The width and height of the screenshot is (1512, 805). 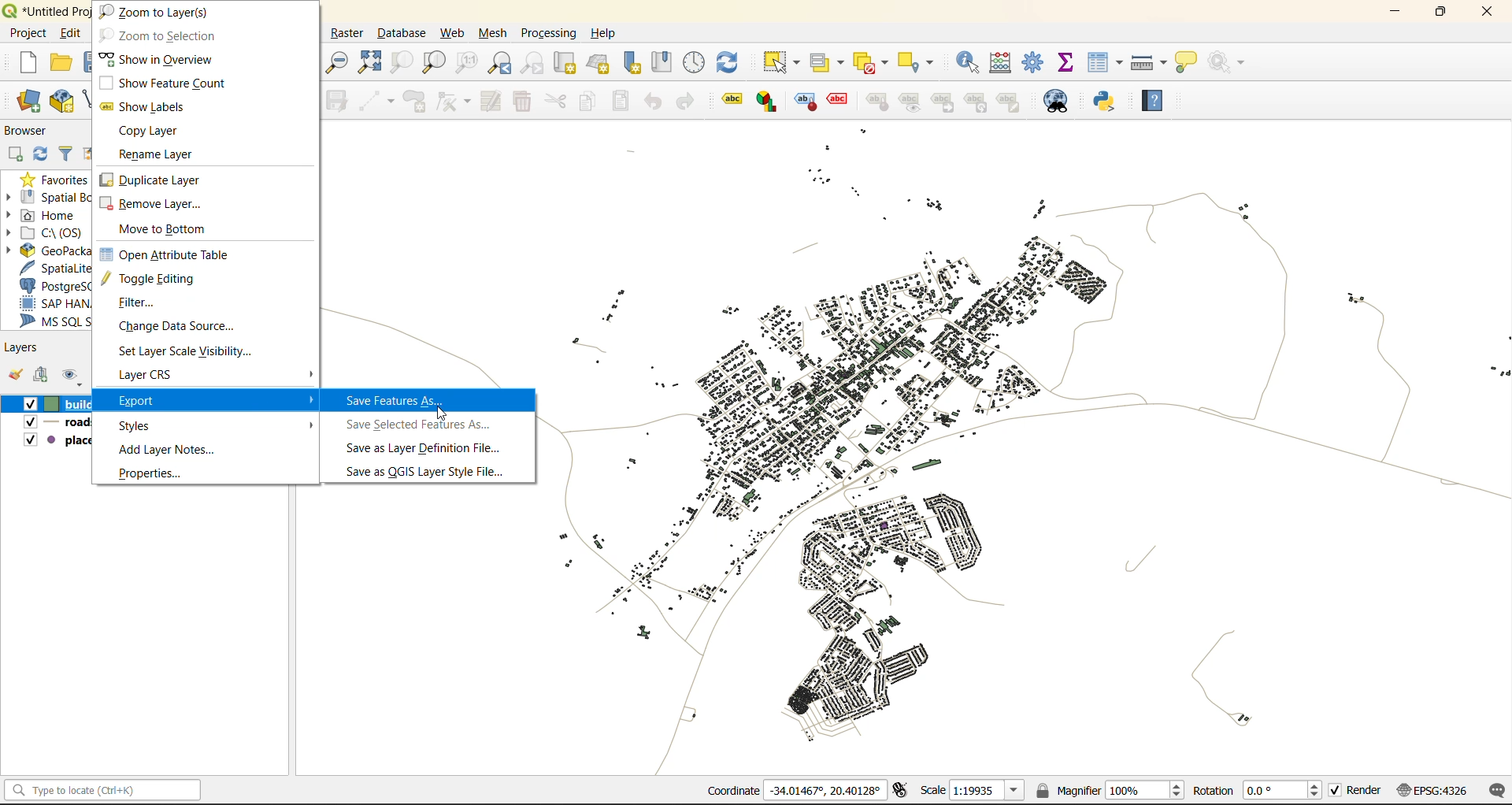 I want to click on show spatial bookmark, so click(x=665, y=62).